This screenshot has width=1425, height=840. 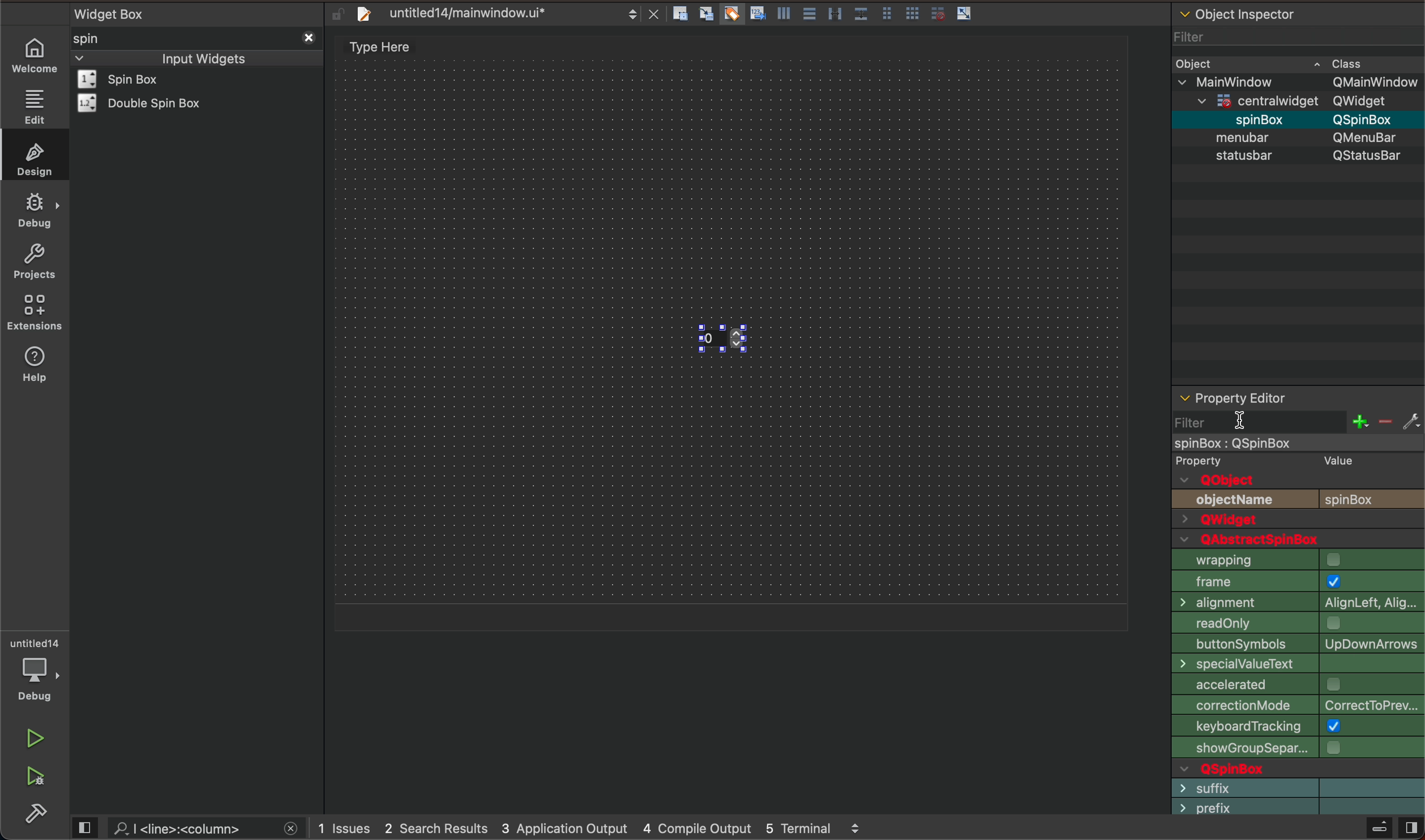 I want to click on widget box, so click(x=200, y=12).